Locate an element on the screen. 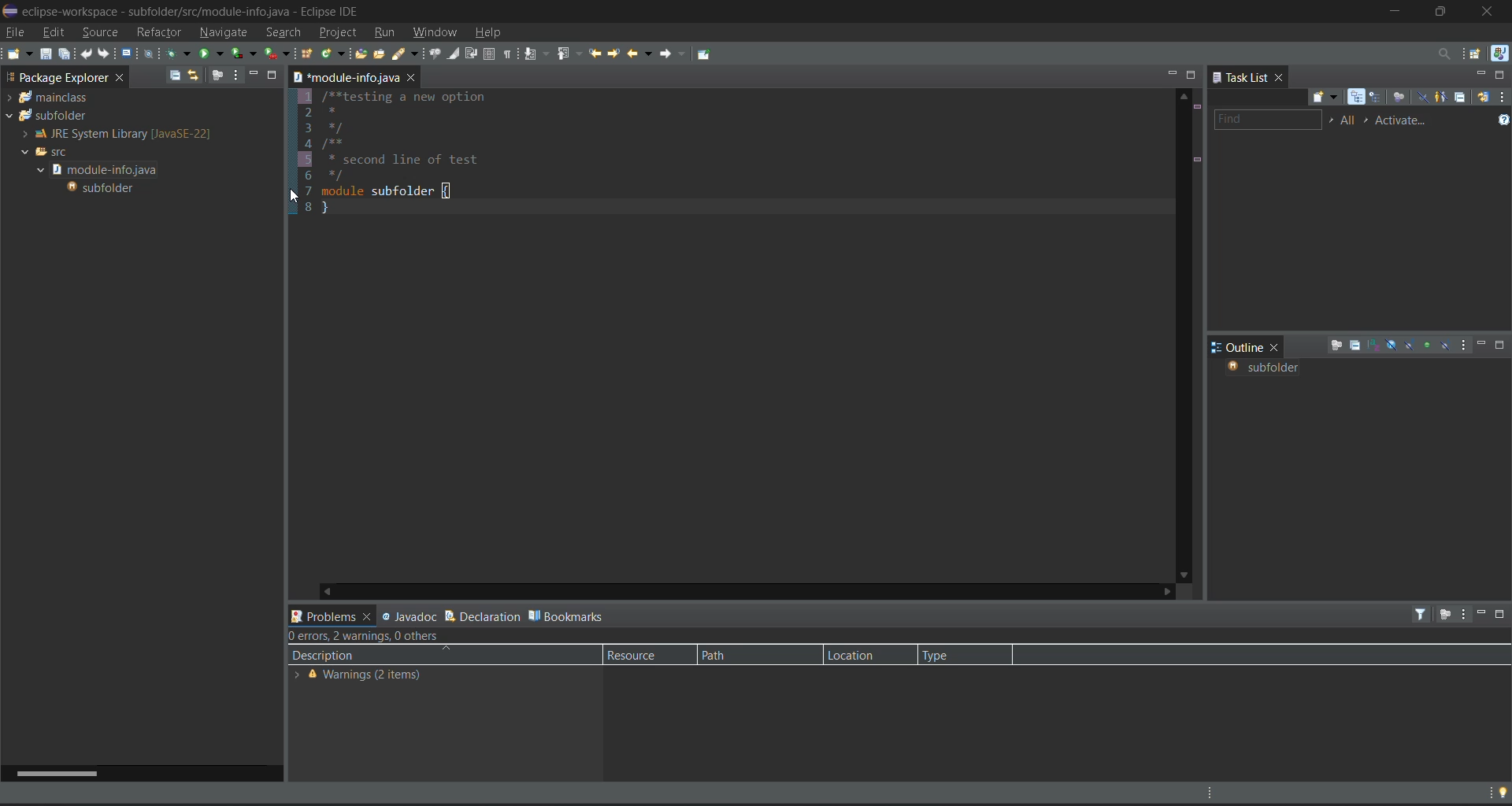  all is located at coordinates (1349, 120).